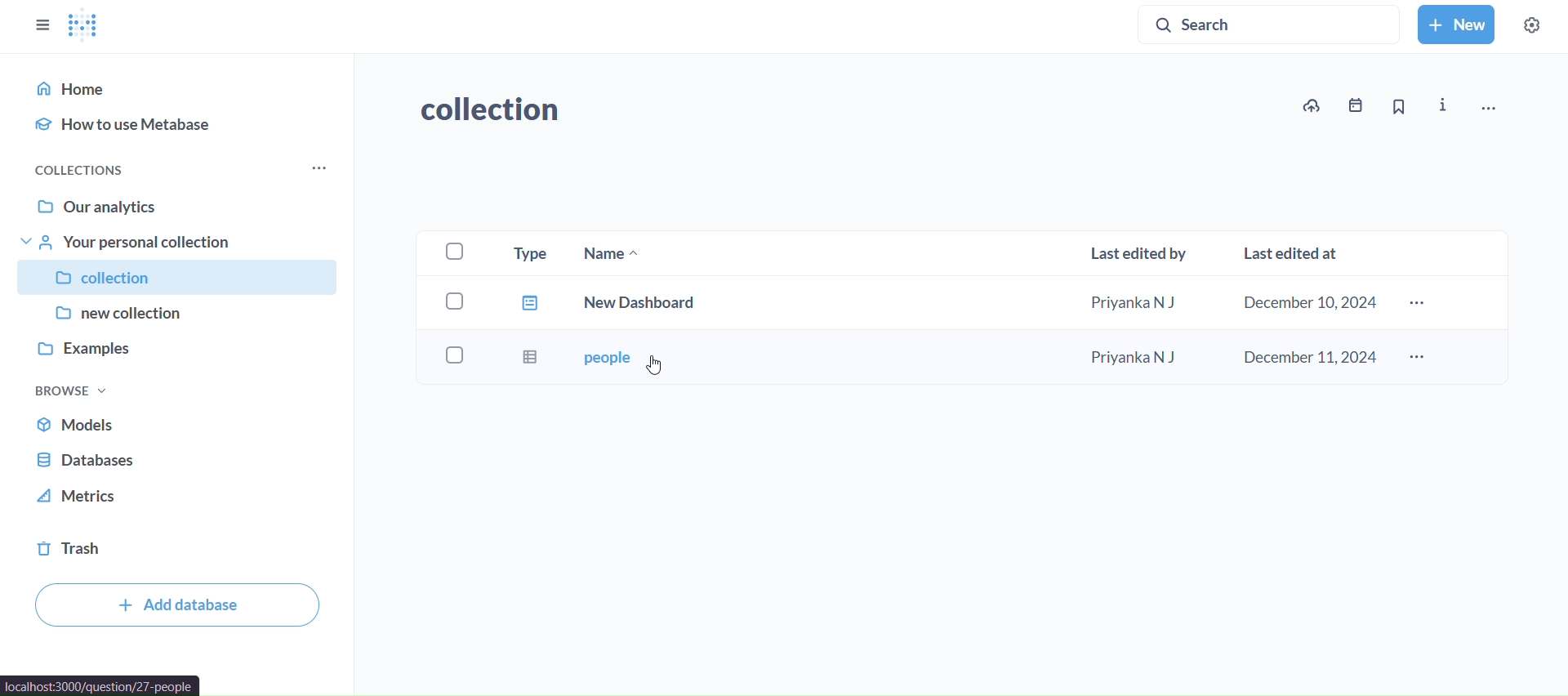  I want to click on databse, so click(179, 463).